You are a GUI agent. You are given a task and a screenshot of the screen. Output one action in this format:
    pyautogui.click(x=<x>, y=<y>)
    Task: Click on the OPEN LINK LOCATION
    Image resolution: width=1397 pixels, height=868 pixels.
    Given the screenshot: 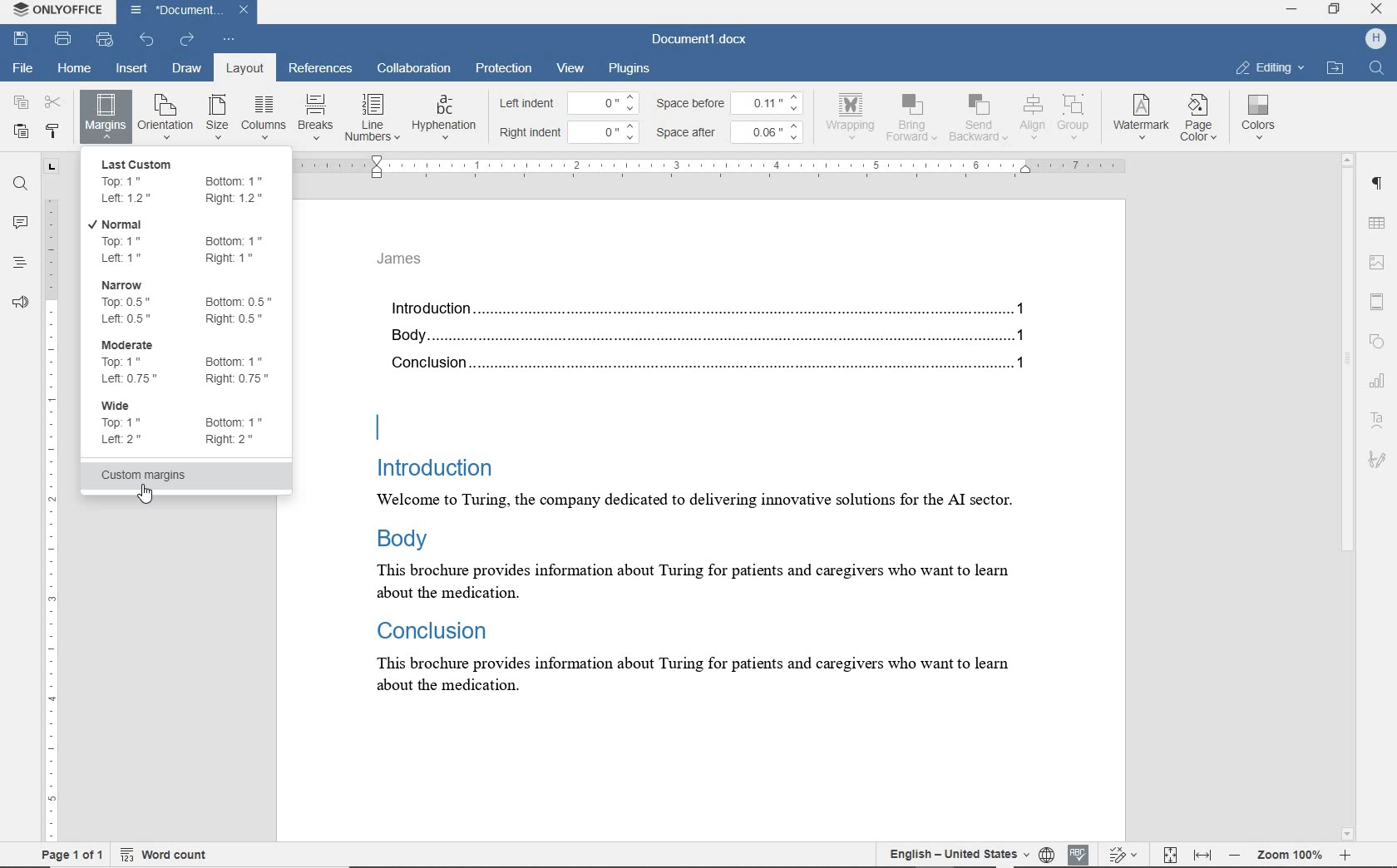 What is the action you would take?
    pyautogui.click(x=1338, y=67)
    